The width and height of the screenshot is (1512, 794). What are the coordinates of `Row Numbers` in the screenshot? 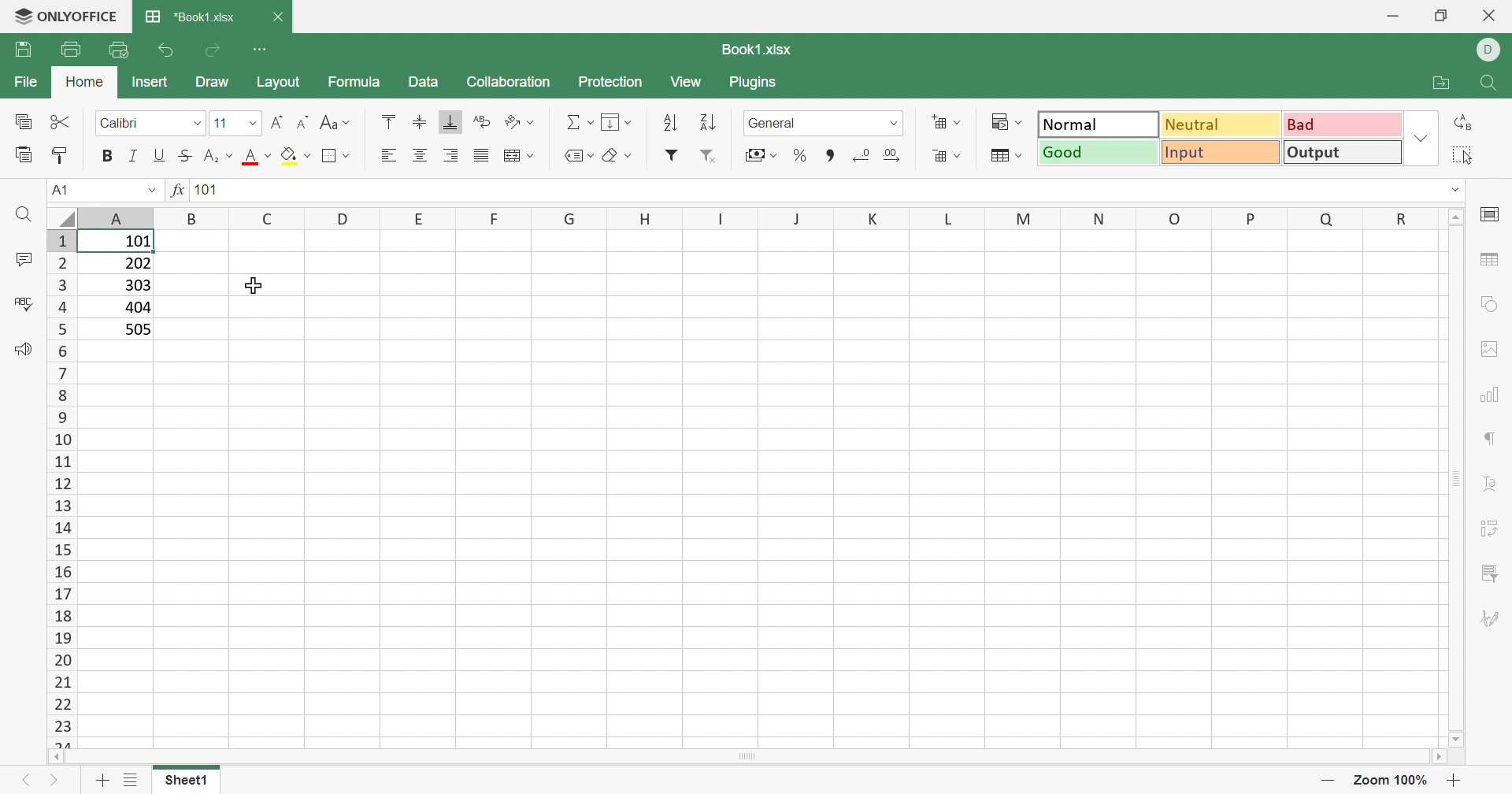 It's located at (59, 488).